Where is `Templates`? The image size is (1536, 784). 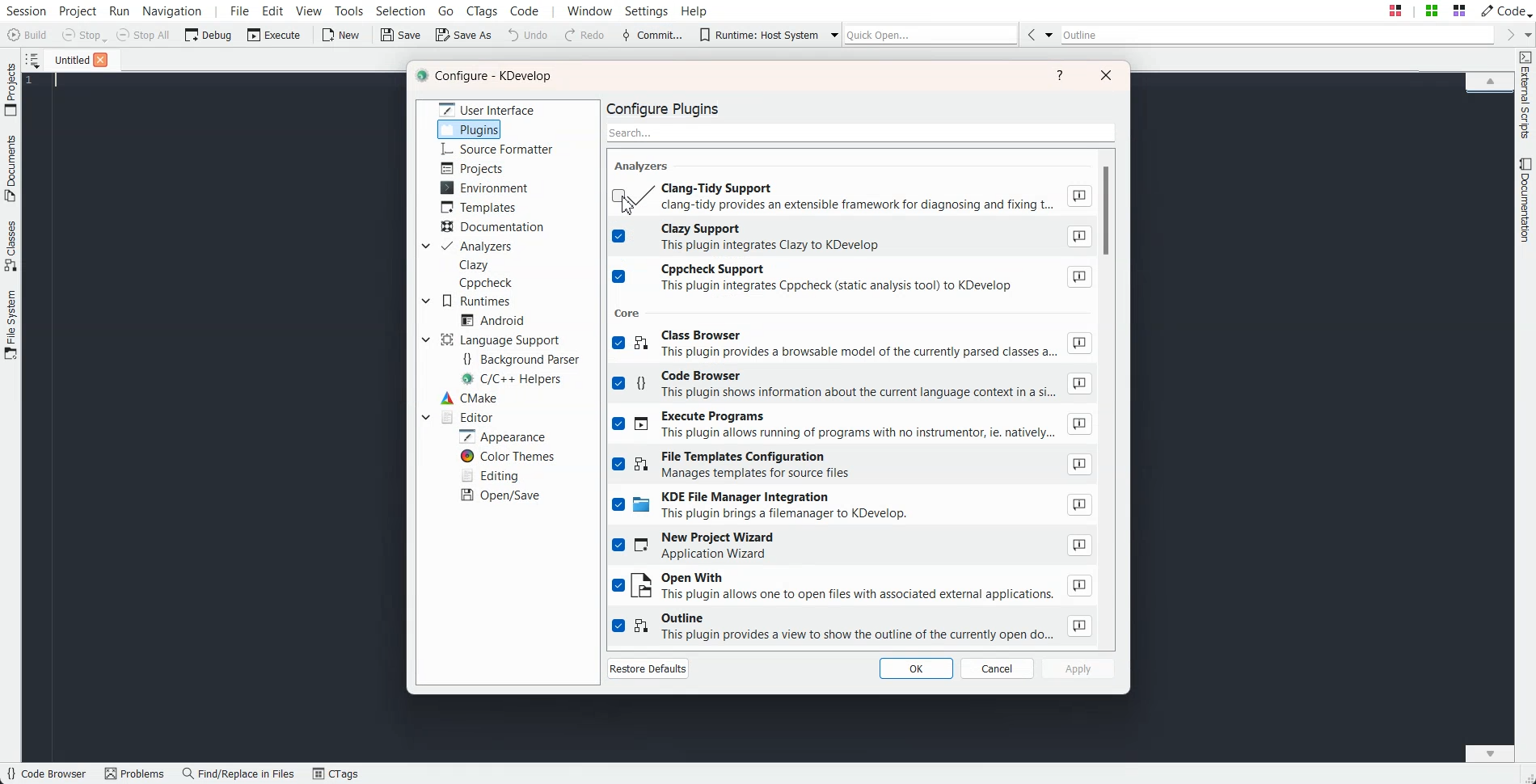
Templates is located at coordinates (479, 207).